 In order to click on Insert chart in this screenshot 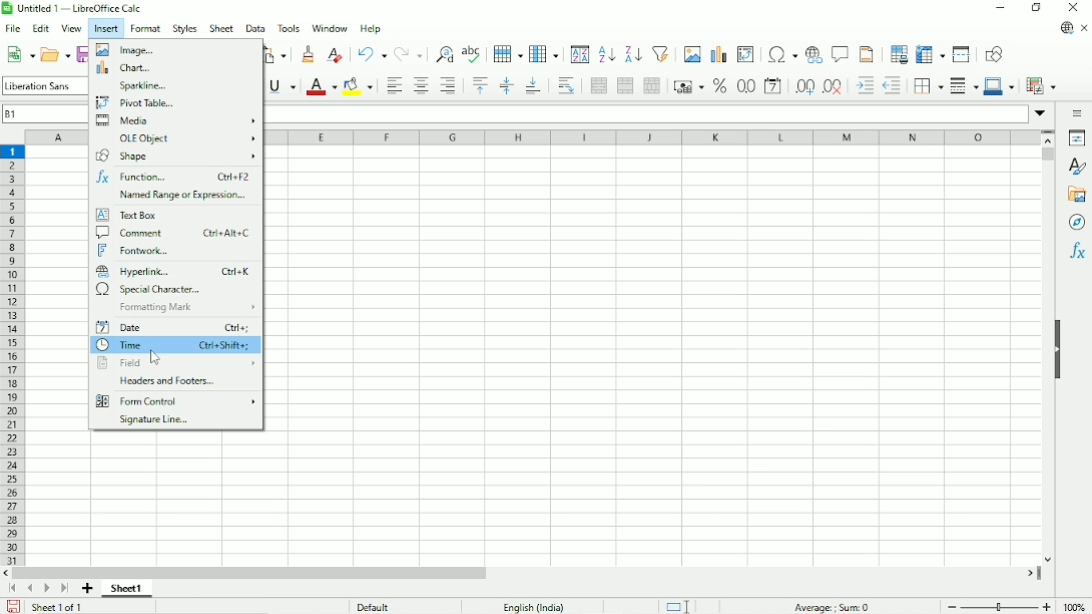, I will do `click(719, 51)`.